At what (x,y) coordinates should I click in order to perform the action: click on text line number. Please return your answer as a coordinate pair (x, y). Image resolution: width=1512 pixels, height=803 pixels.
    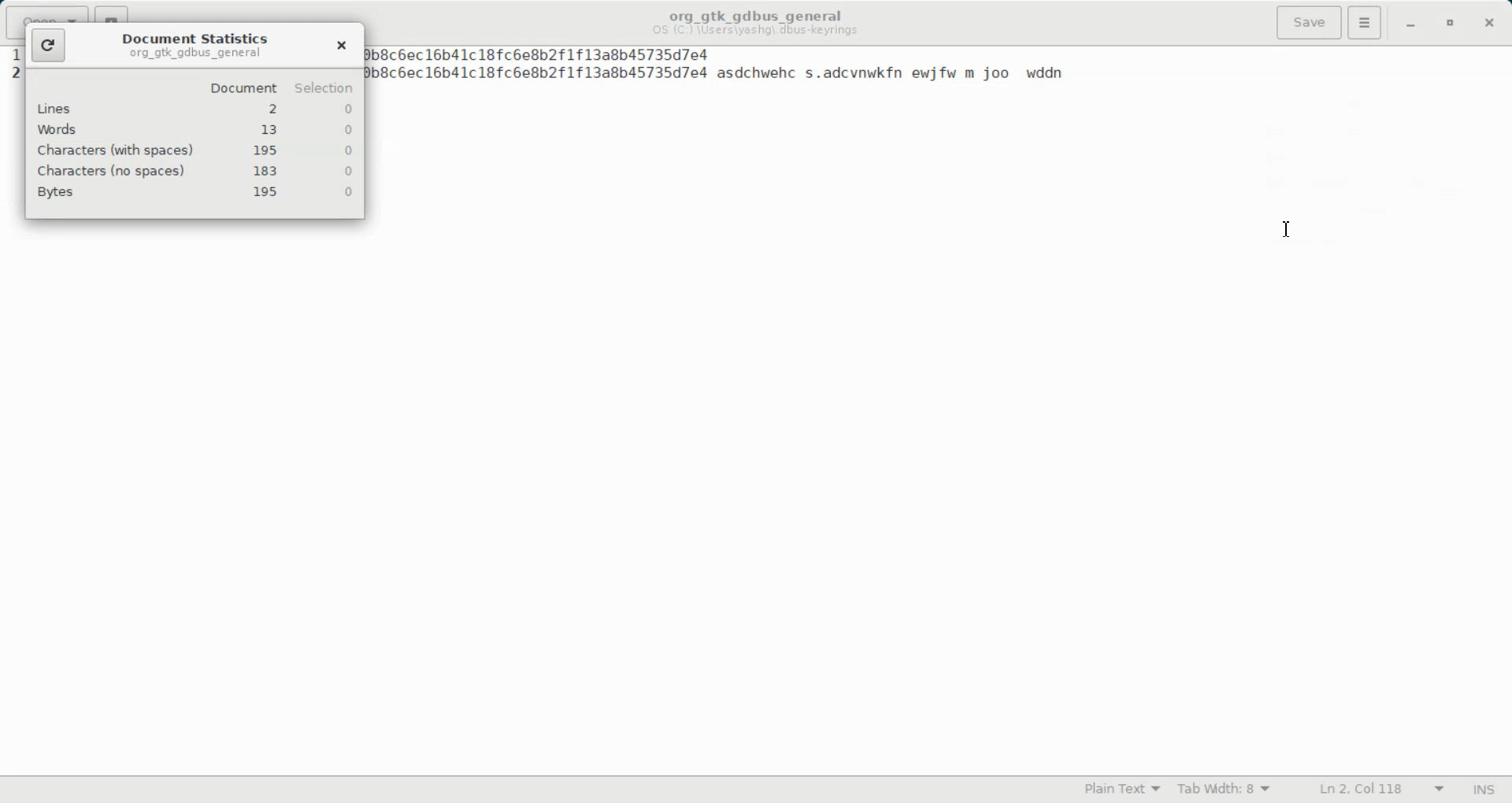
    Looking at the image, I should click on (13, 67).